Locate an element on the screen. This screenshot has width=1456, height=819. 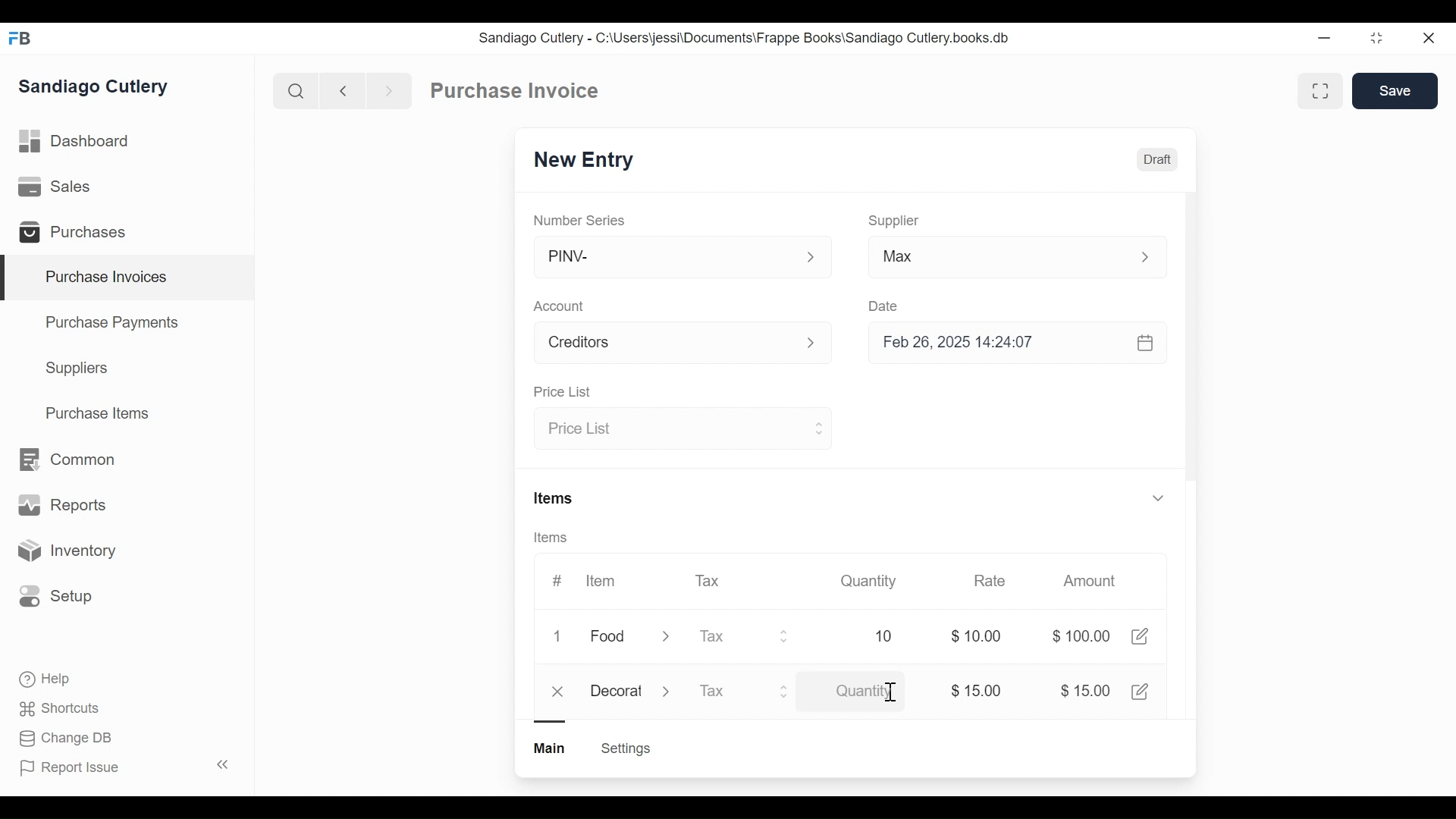
Sandiago Cutlery is located at coordinates (96, 88).